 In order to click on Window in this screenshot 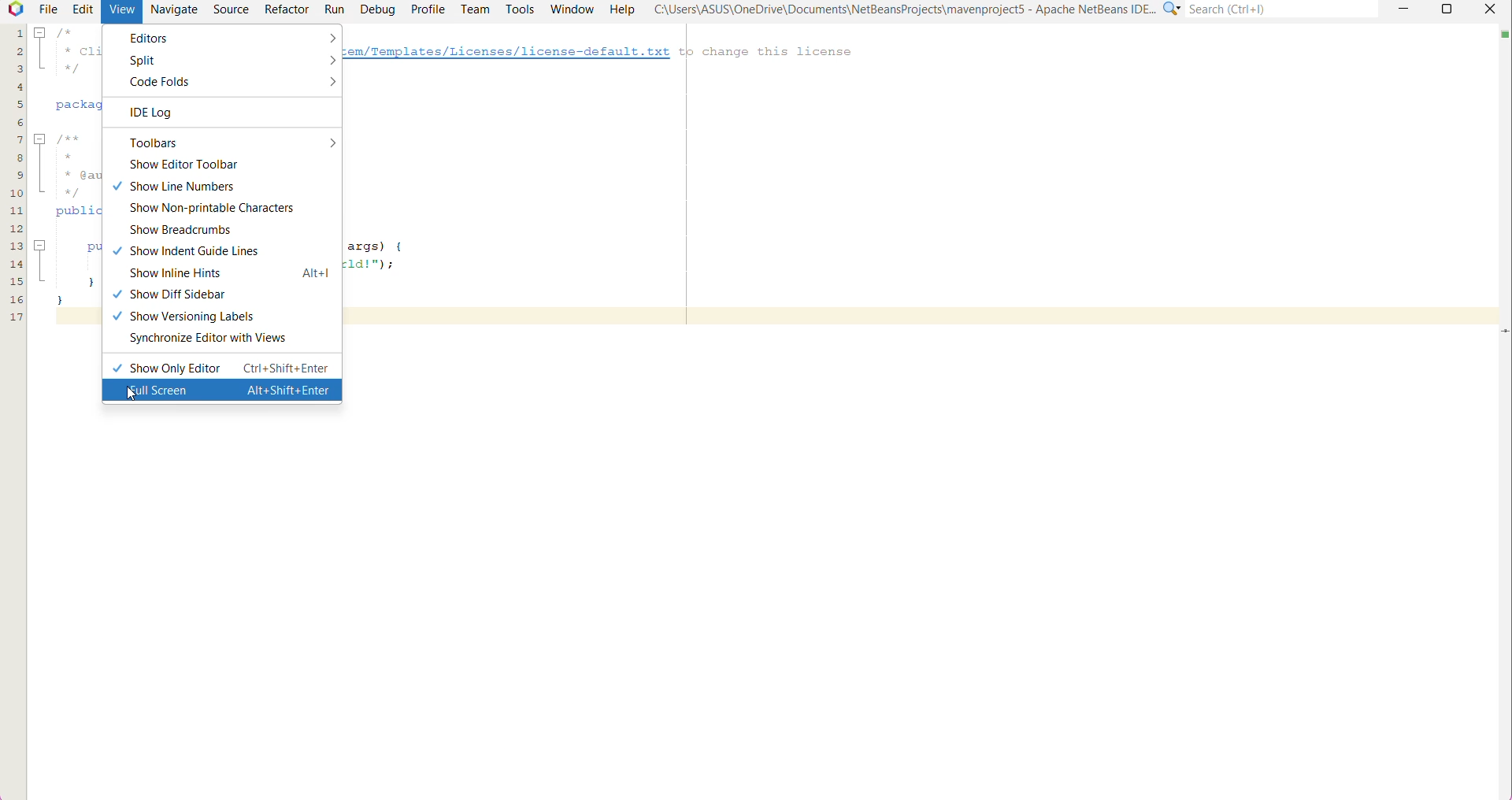, I will do `click(571, 9)`.